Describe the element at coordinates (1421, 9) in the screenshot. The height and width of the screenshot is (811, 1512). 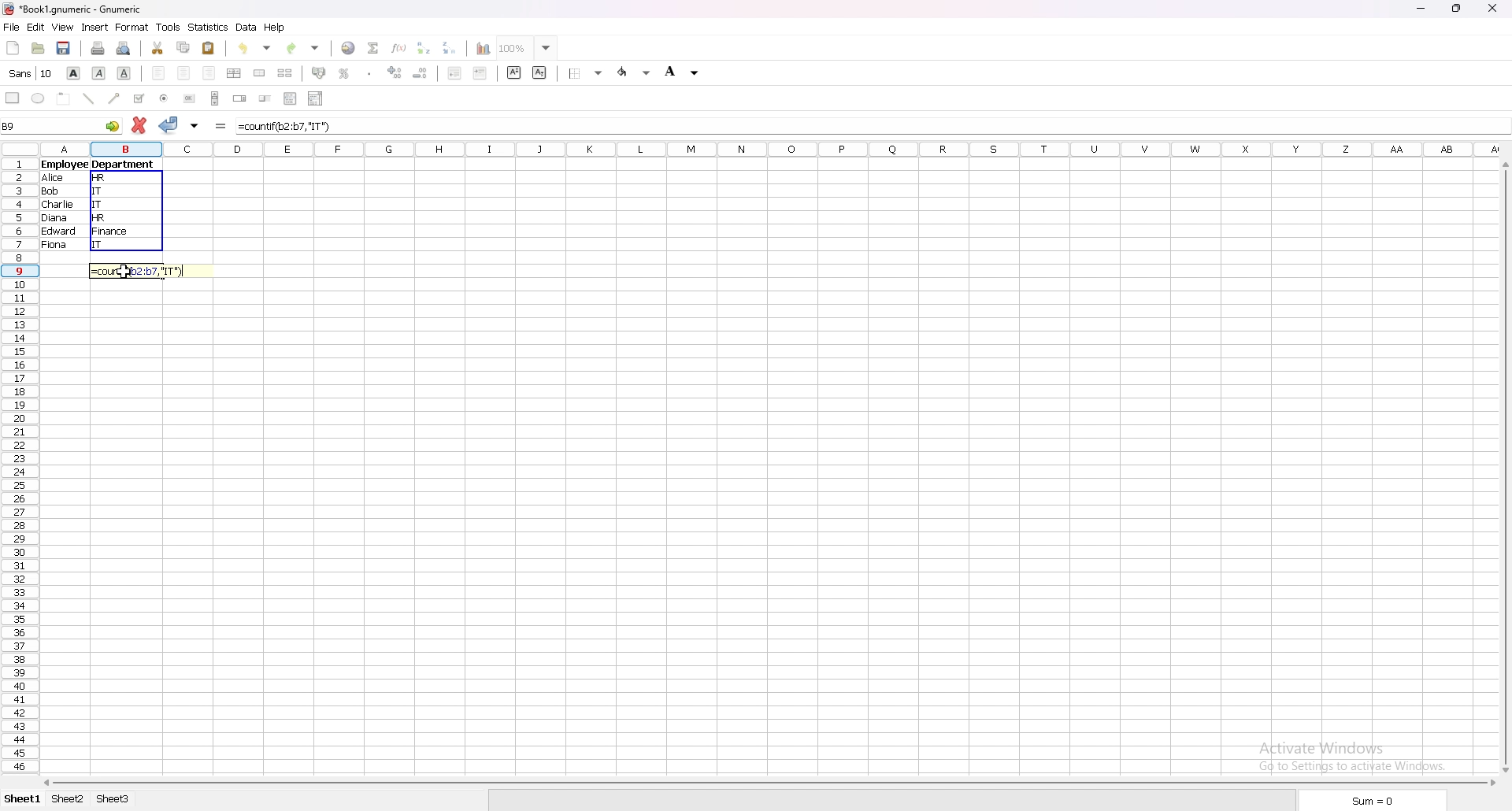
I see `minimize` at that location.